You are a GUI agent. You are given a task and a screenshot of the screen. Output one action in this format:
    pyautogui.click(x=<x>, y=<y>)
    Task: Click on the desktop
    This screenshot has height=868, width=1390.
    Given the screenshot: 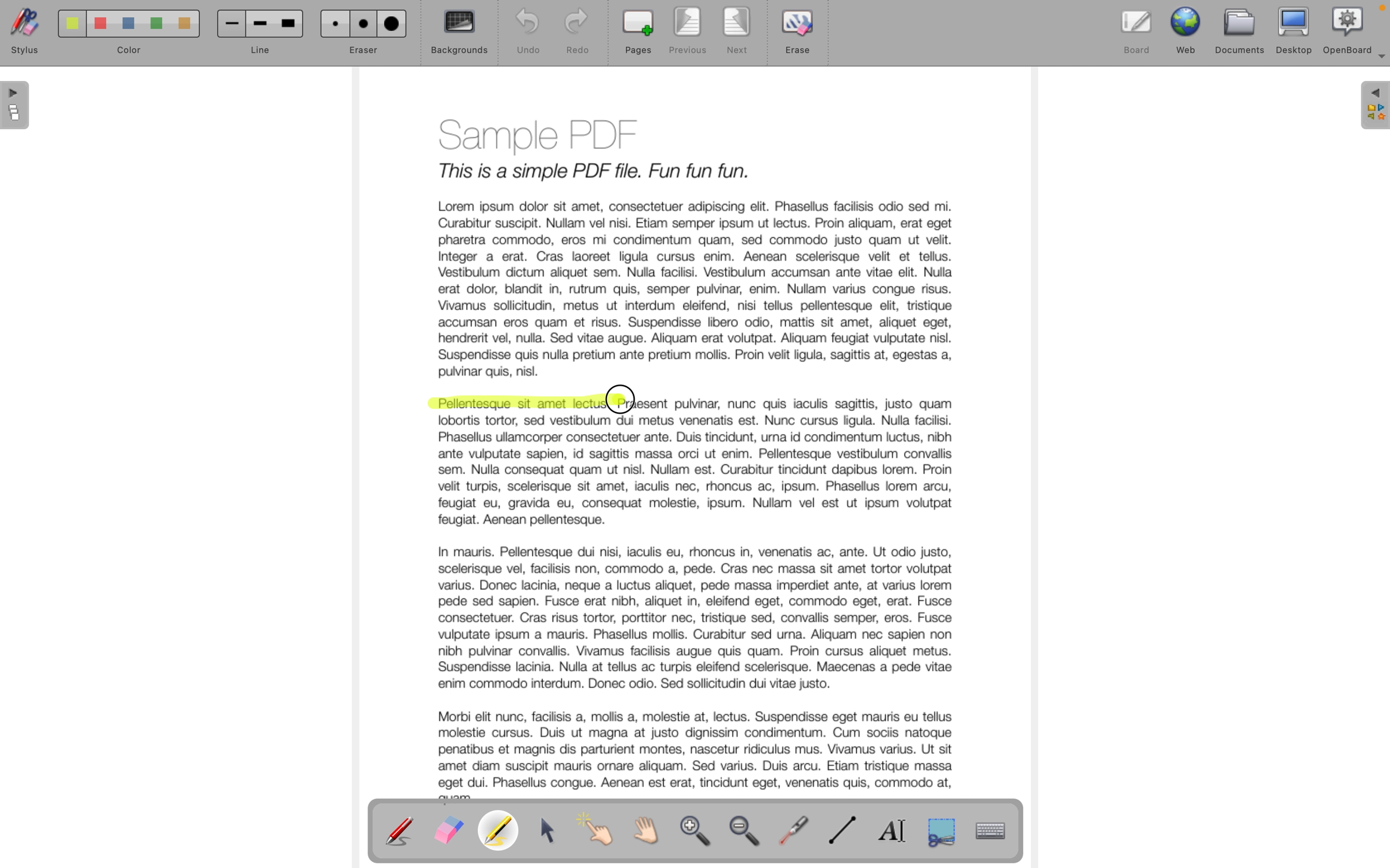 What is the action you would take?
    pyautogui.click(x=1295, y=30)
    